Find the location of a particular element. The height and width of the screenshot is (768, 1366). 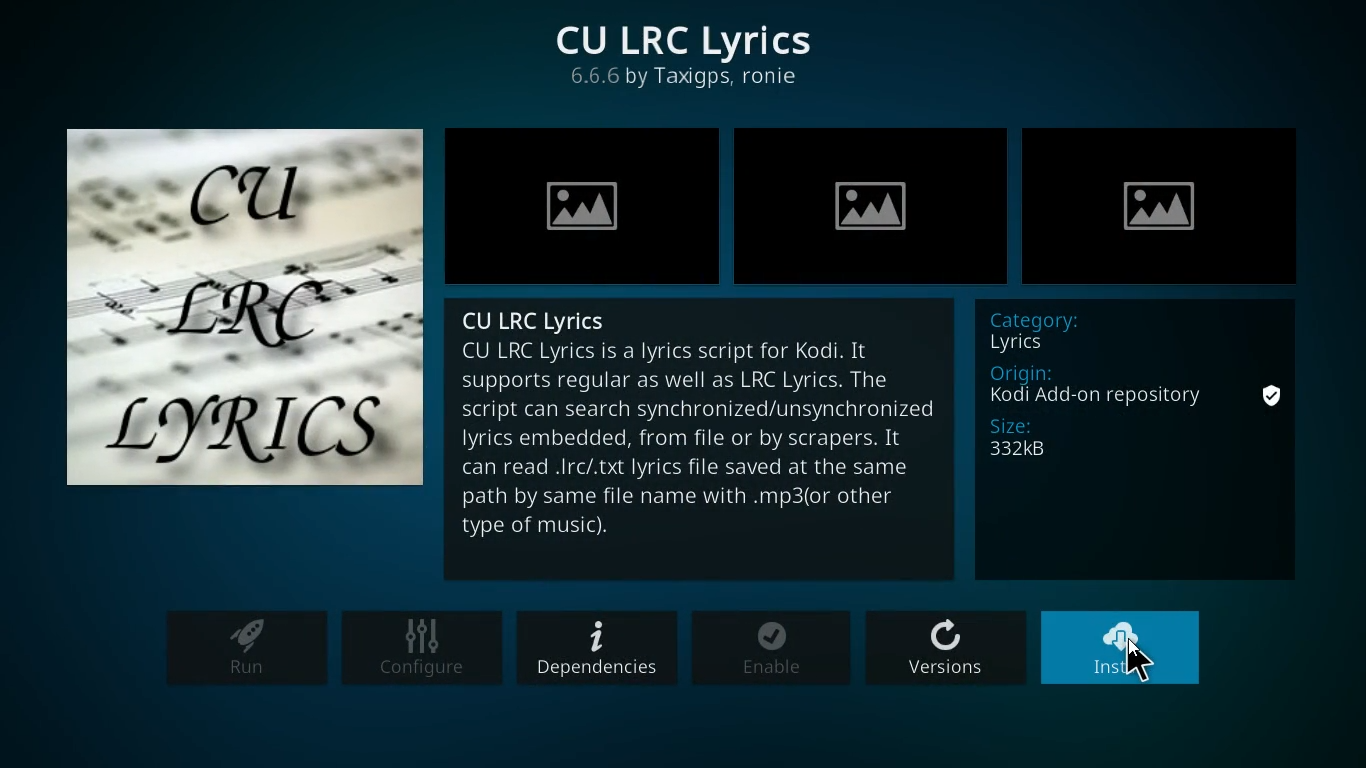

image is located at coordinates (869, 200).